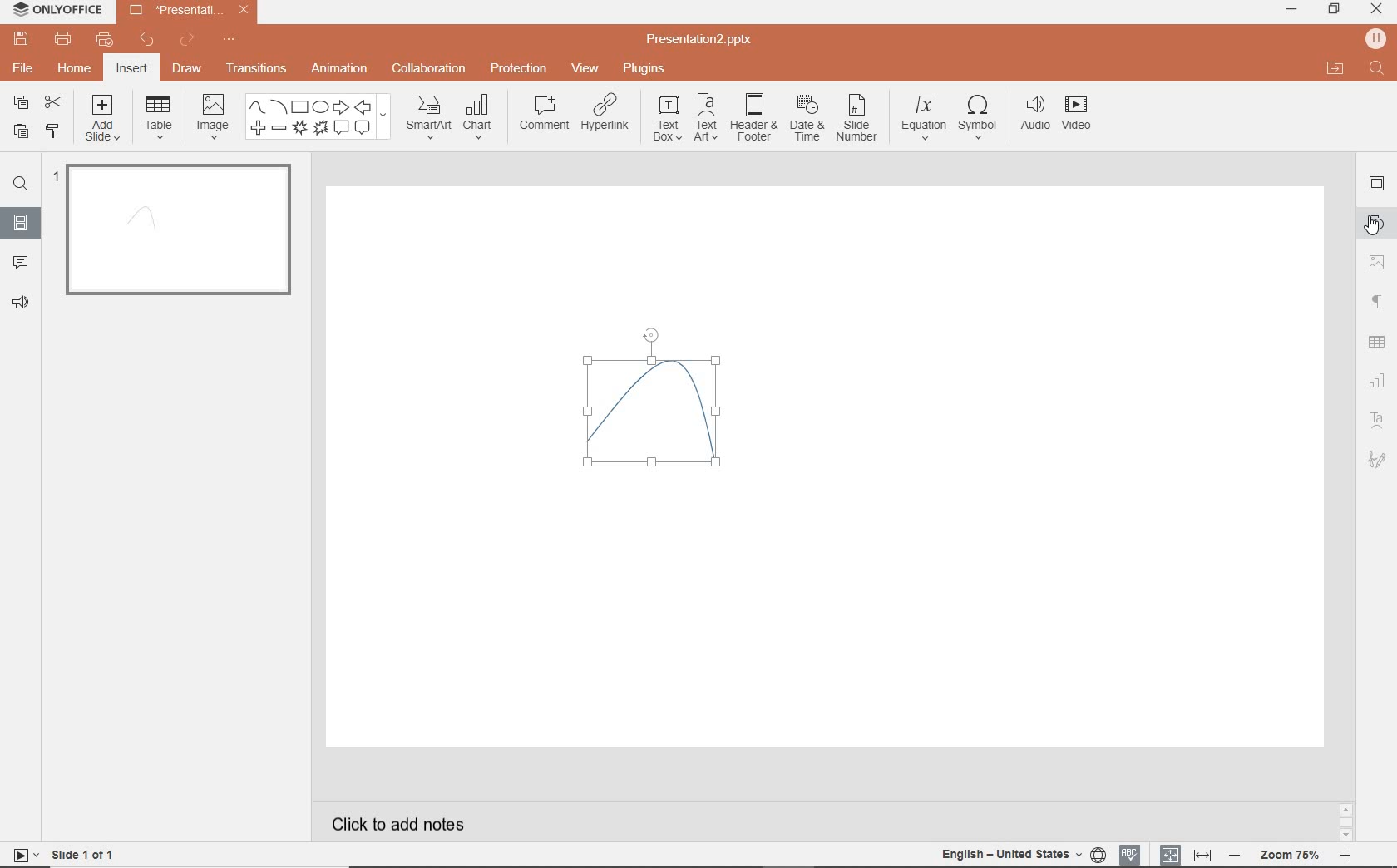 Image resolution: width=1397 pixels, height=868 pixels. What do you see at coordinates (104, 121) in the screenshot?
I see `ADD SLIDE` at bounding box center [104, 121].